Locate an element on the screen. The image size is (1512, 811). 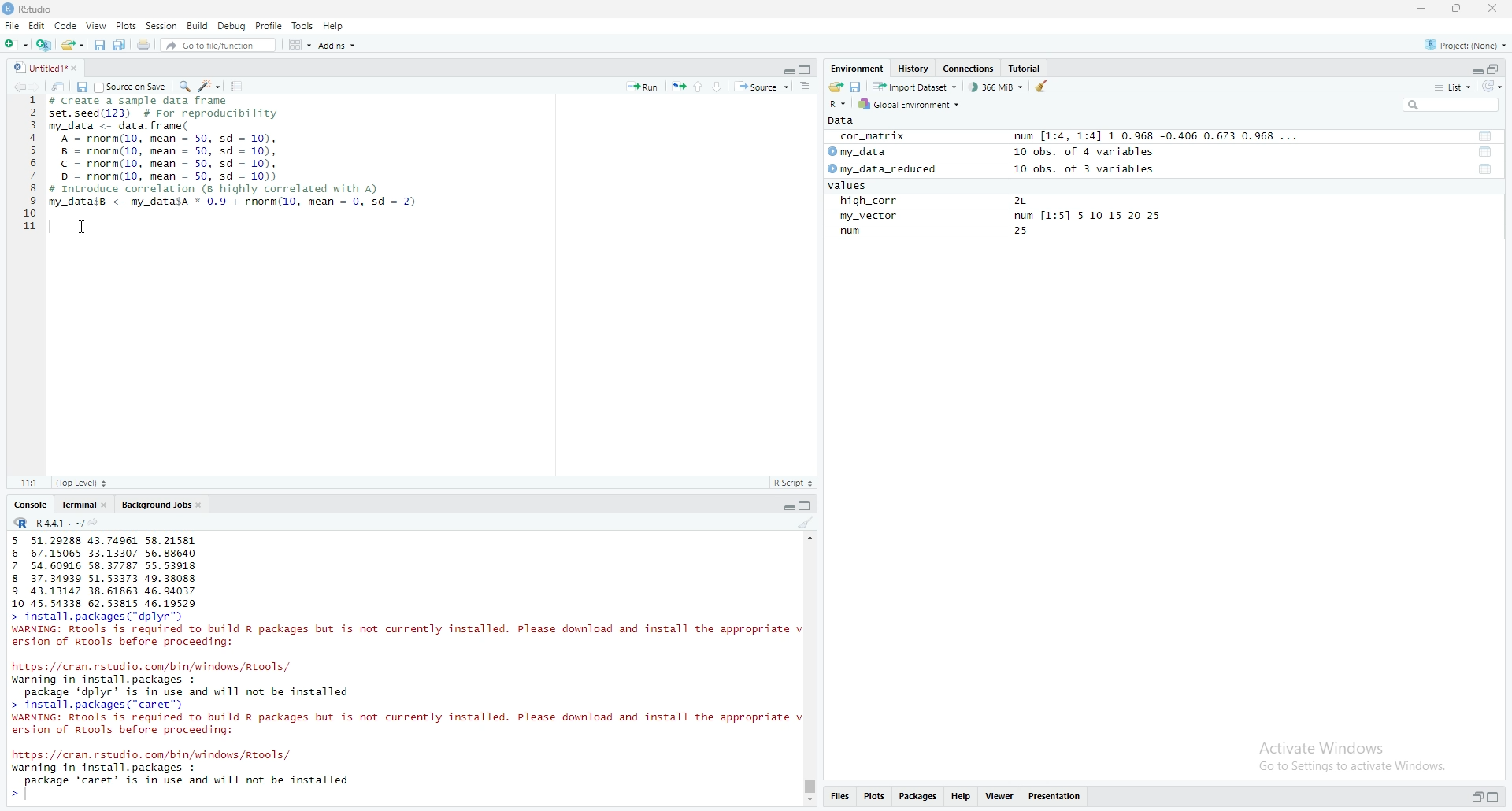
backward is located at coordinates (17, 87).